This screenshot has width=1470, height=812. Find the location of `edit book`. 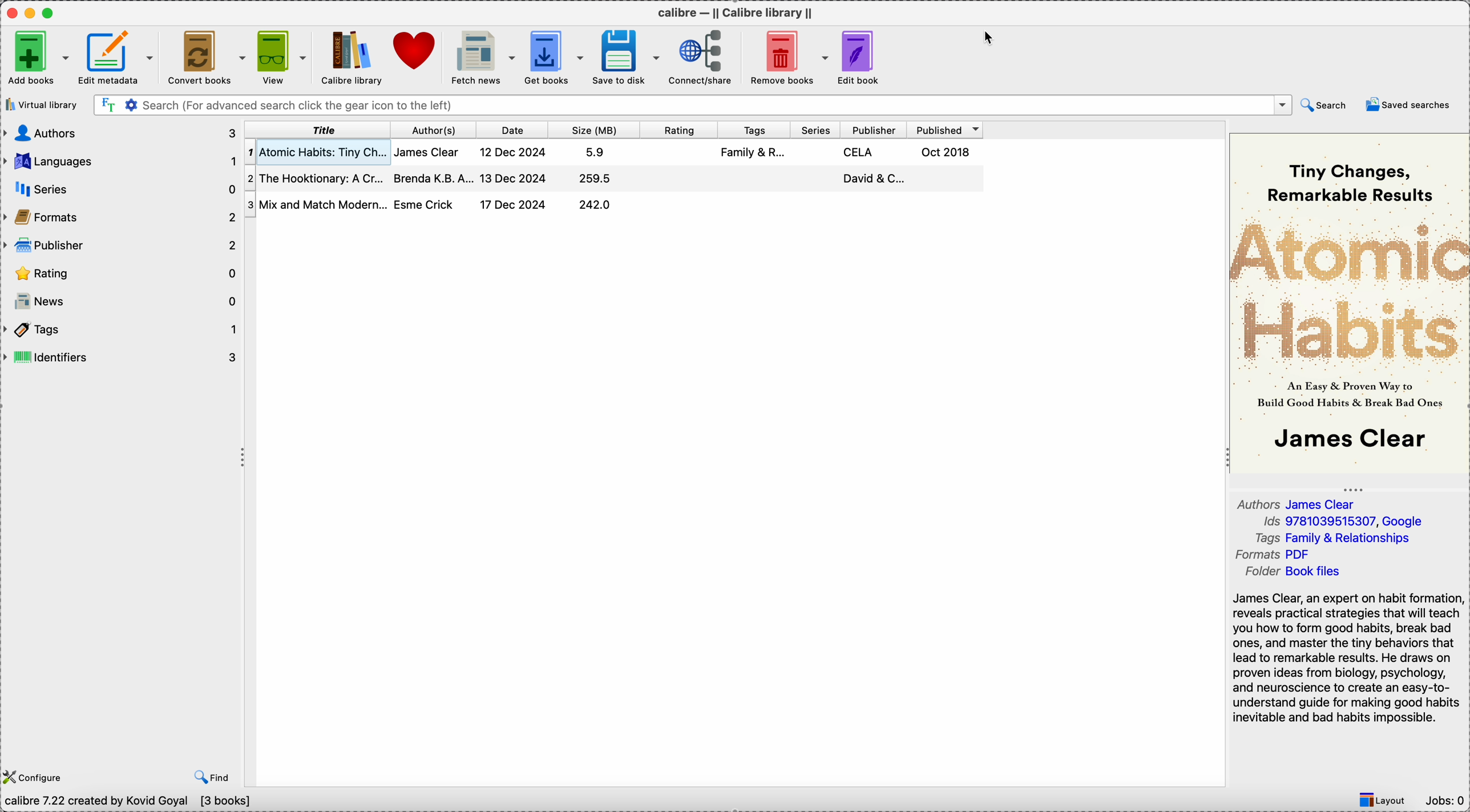

edit book is located at coordinates (860, 56).